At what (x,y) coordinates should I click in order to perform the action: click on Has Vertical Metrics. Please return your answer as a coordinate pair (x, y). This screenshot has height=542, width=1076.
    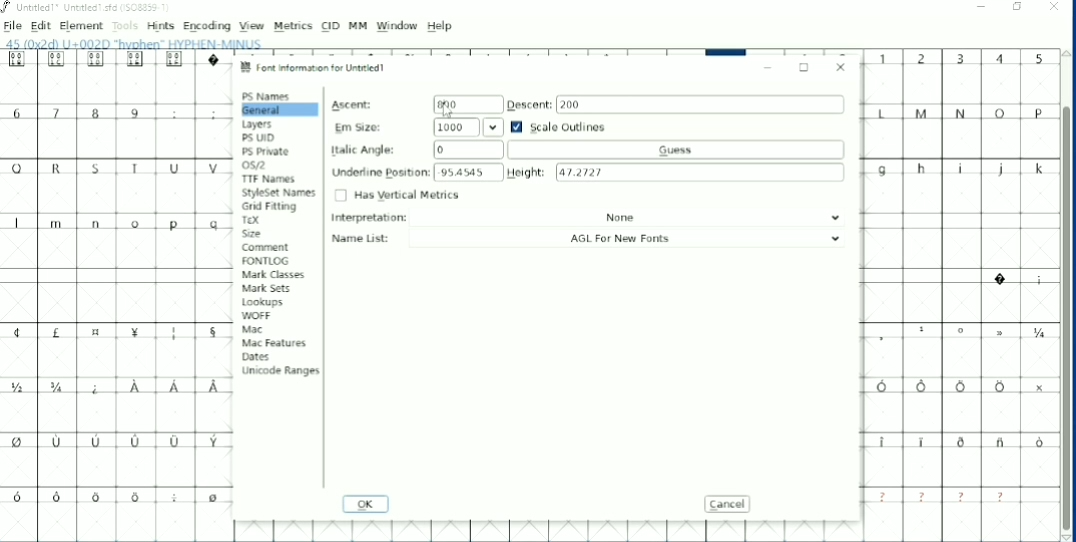
    Looking at the image, I should click on (397, 195).